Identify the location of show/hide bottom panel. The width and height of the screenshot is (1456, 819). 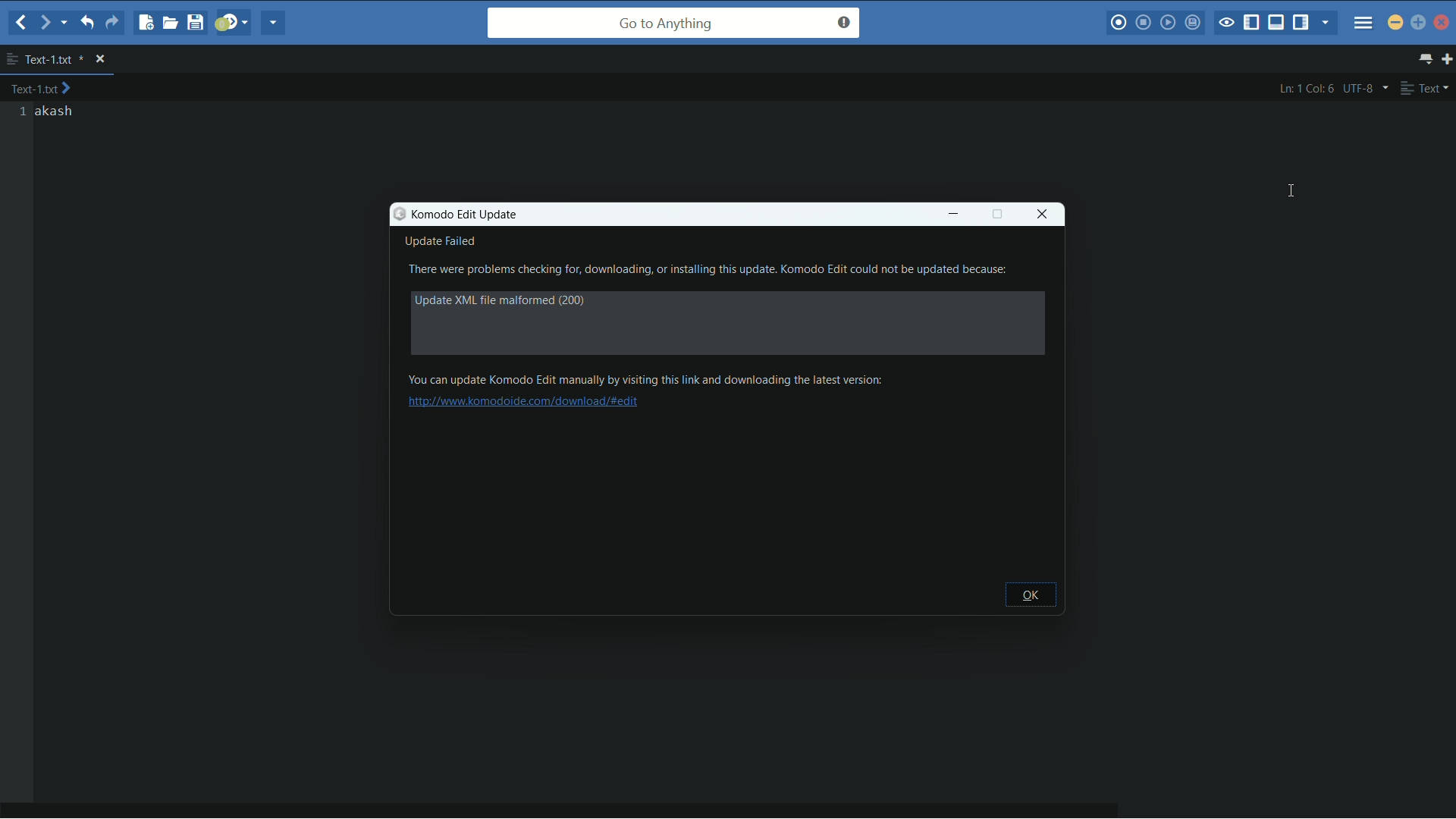
(1278, 22).